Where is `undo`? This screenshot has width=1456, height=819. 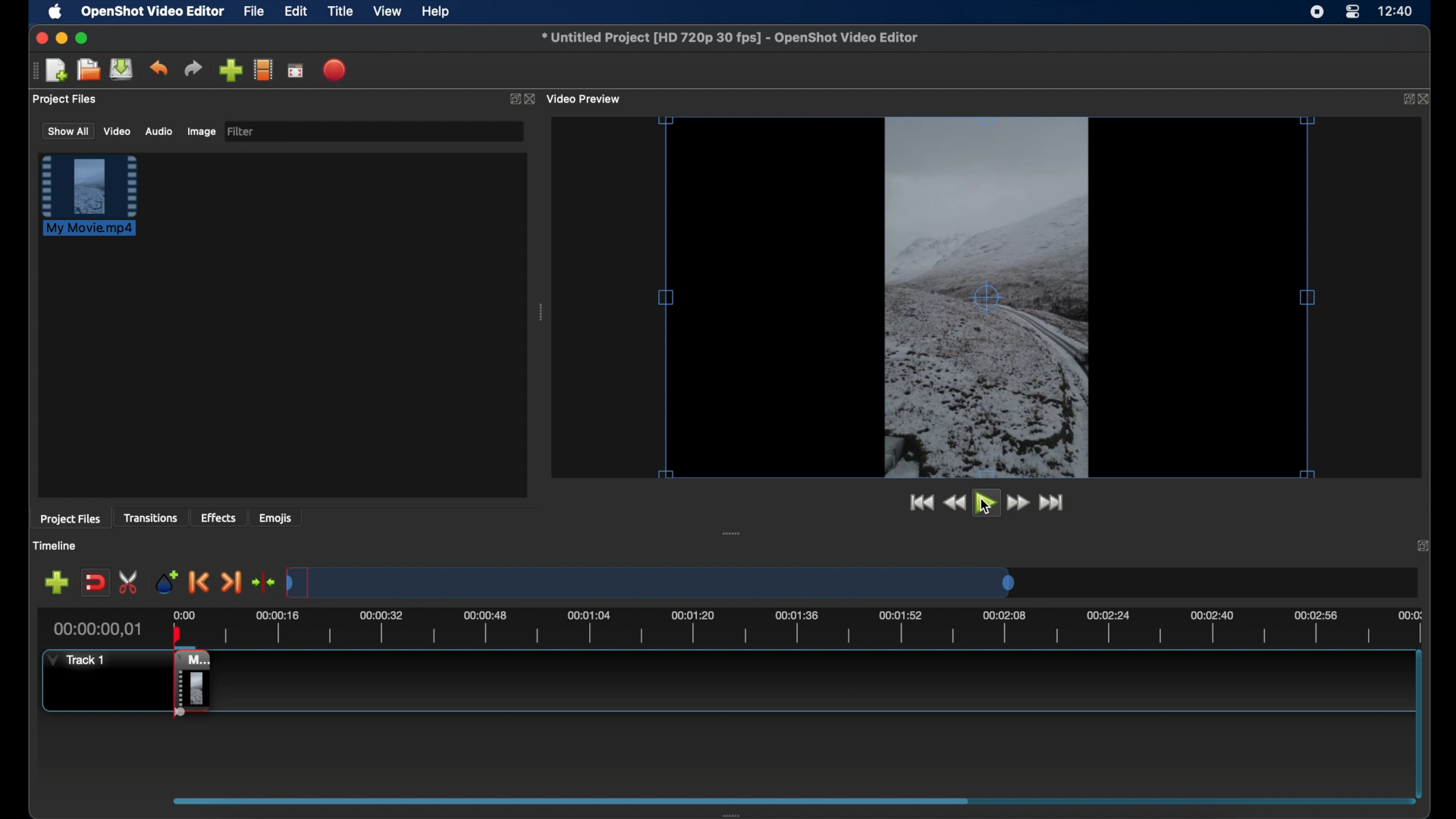
undo is located at coordinates (158, 67).